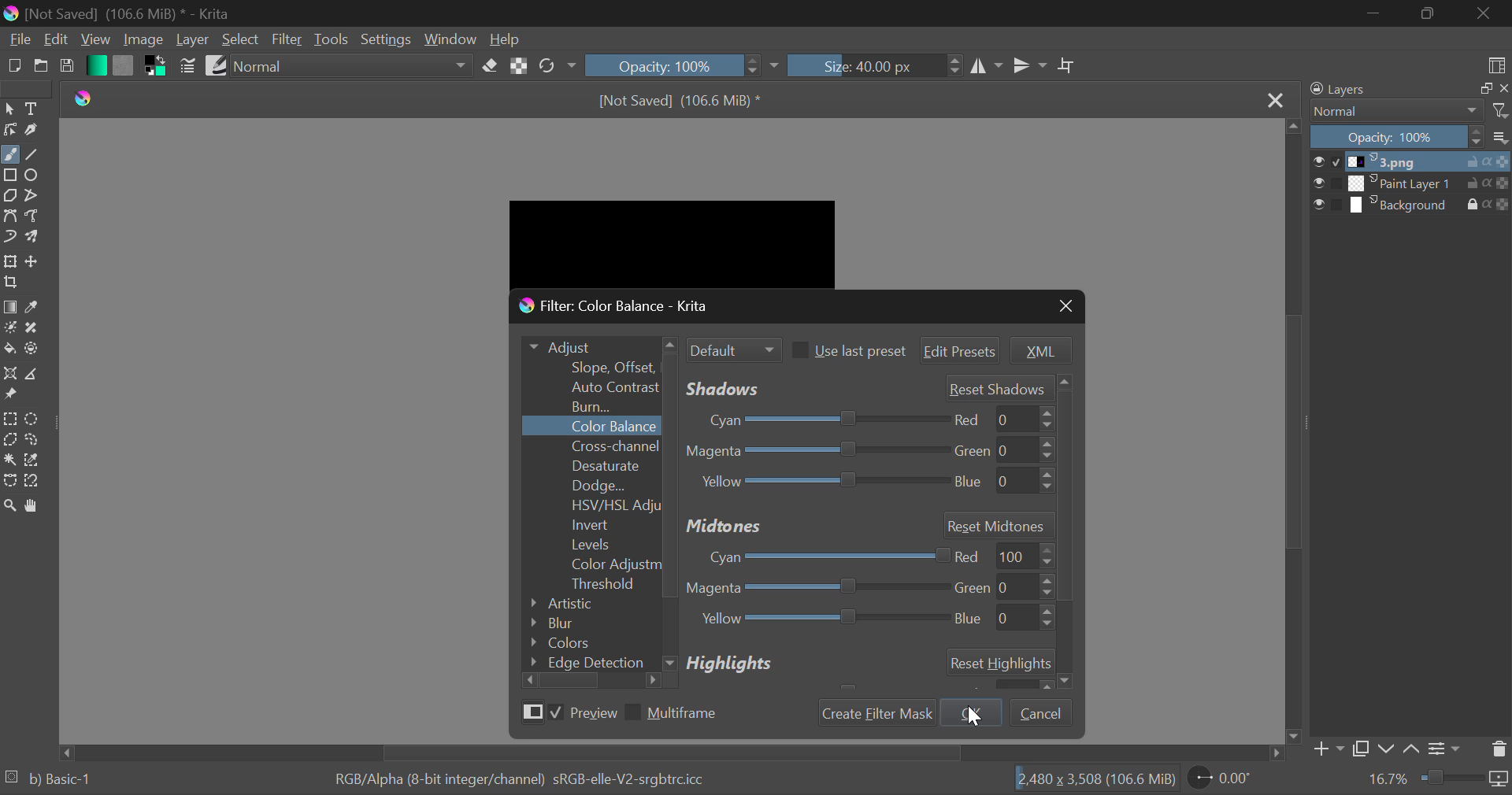  What do you see at coordinates (879, 712) in the screenshot?
I see `Create Filter Mask` at bounding box center [879, 712].